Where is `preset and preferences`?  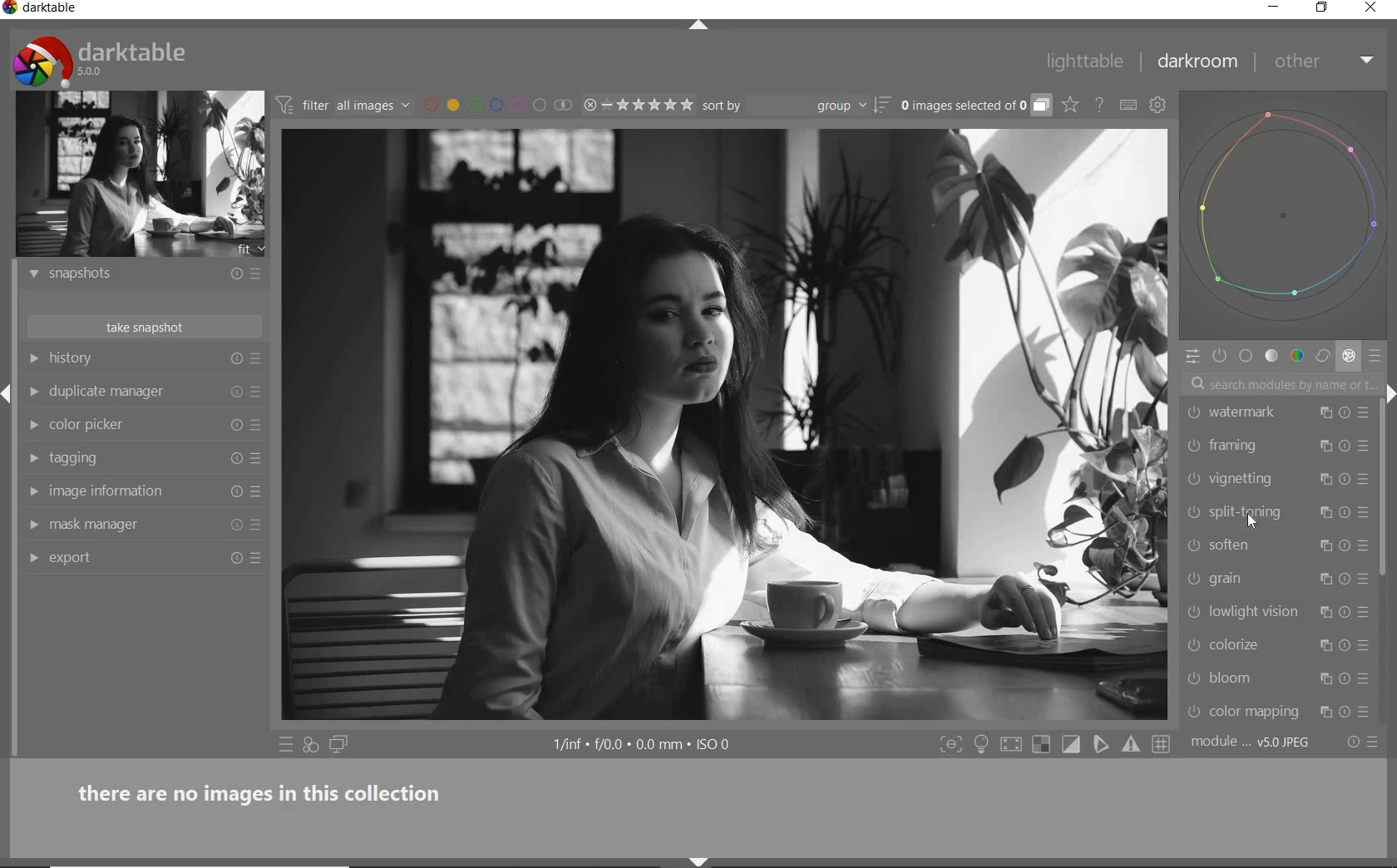 preset and preferences is located at coordinates (257, 392).